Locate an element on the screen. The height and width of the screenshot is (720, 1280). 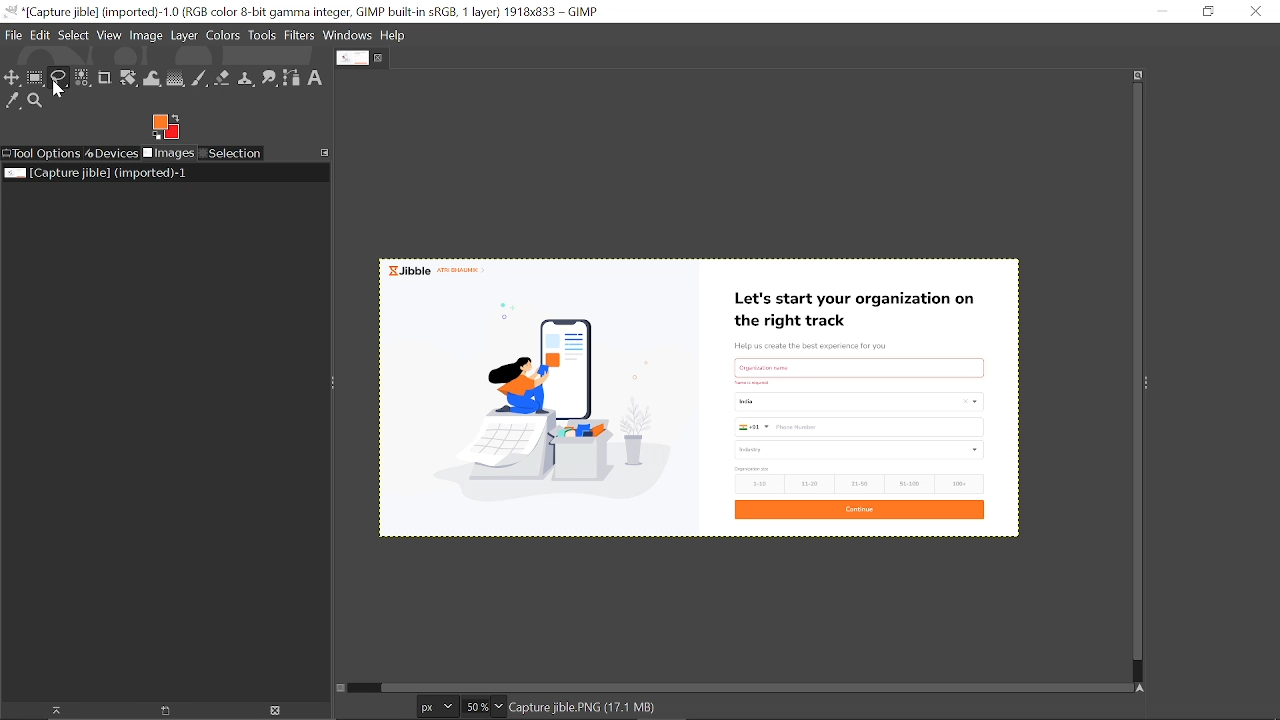
Color picker tool is located at coordinates (13, 102).